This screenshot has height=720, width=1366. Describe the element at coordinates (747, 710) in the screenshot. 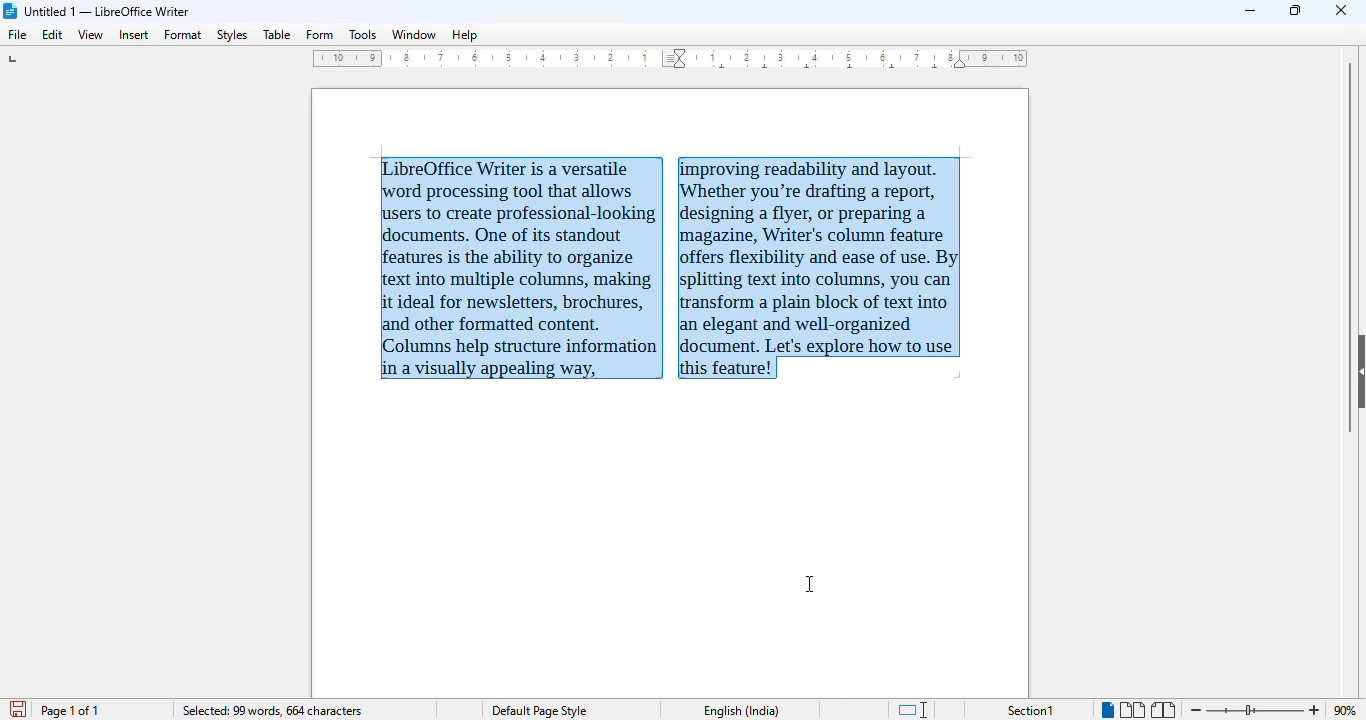

I see `English (India)` at that location.